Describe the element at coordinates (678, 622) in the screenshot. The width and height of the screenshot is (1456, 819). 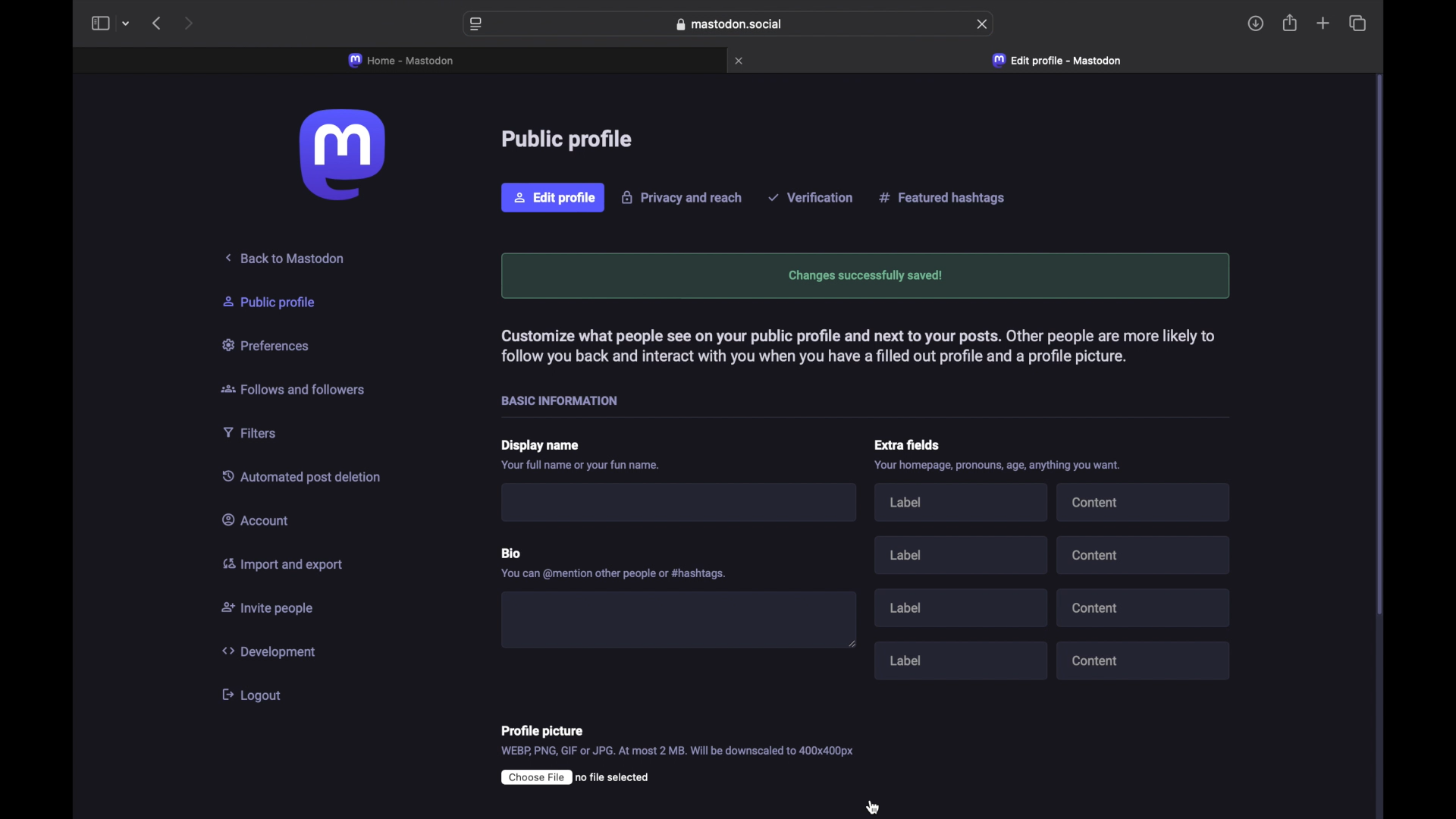
I see `blank box` at that location.